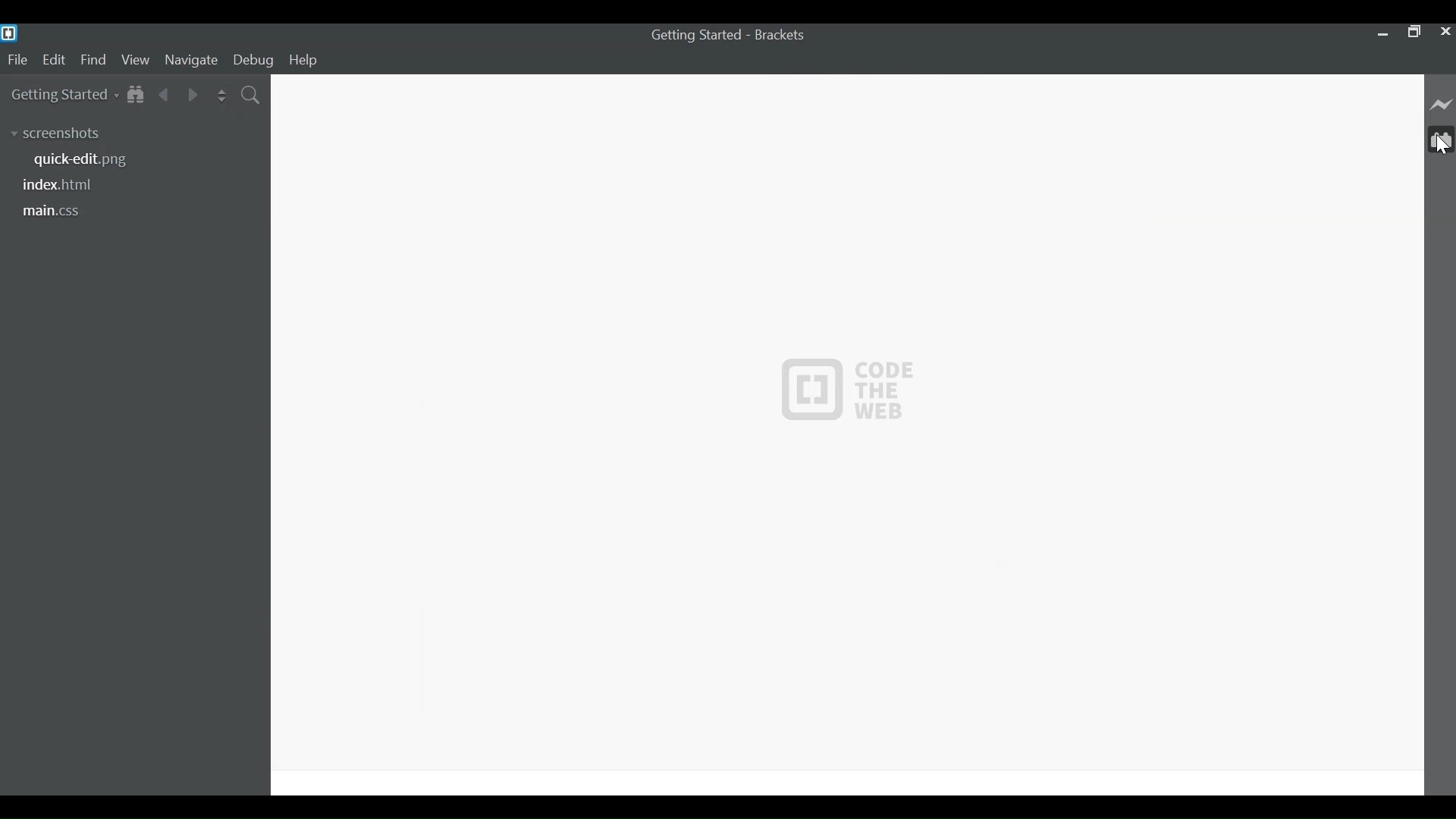 The height and width of the screenshot is (819, 1456). What do you see at coordinates (52, 211) in the screenshot?
I see `css file` at bounding box center [52, 211].